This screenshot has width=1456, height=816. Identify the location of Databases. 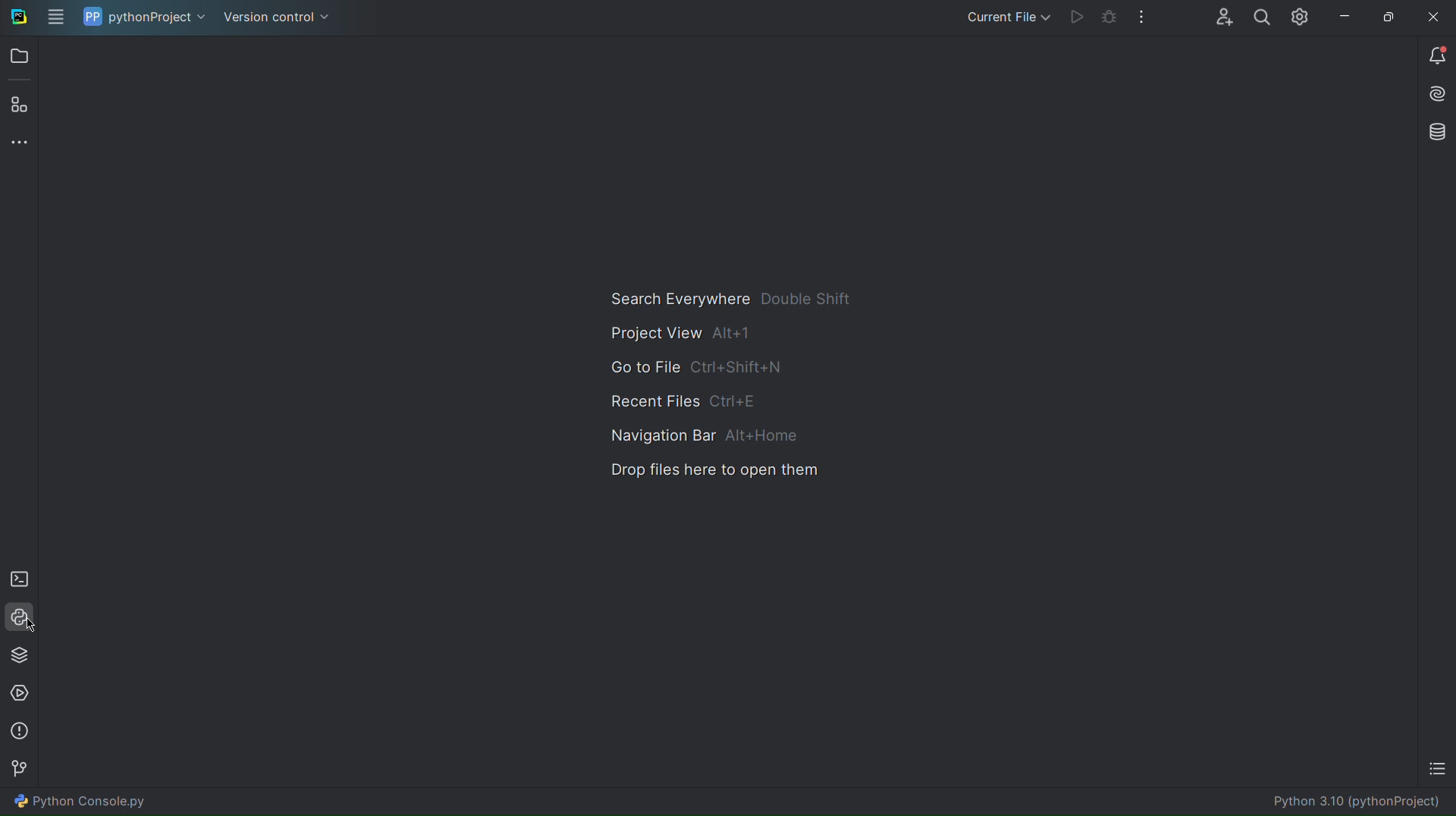
(1434, 132).